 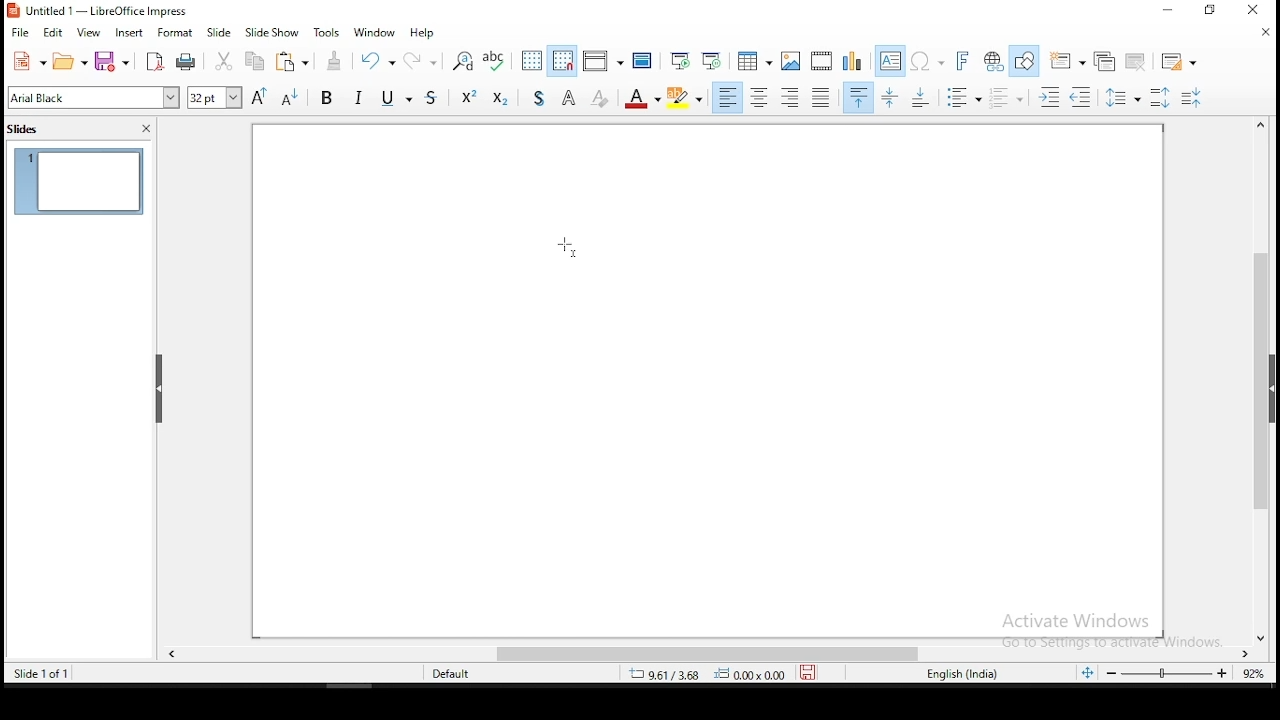 I want to click on redo, so click(x=419, y=58).